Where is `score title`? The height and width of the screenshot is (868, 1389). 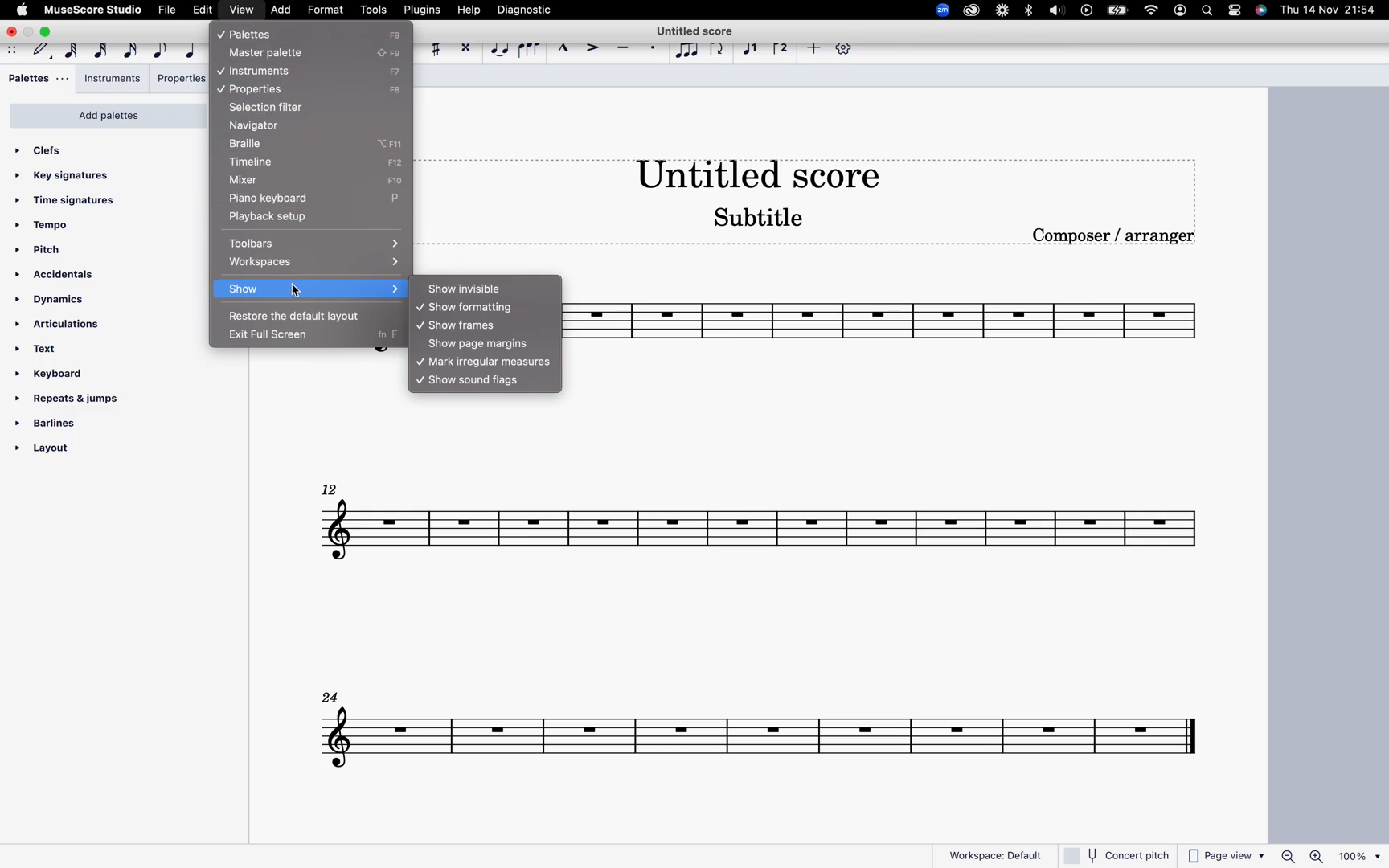 score title is located at coordinates (694, 30).